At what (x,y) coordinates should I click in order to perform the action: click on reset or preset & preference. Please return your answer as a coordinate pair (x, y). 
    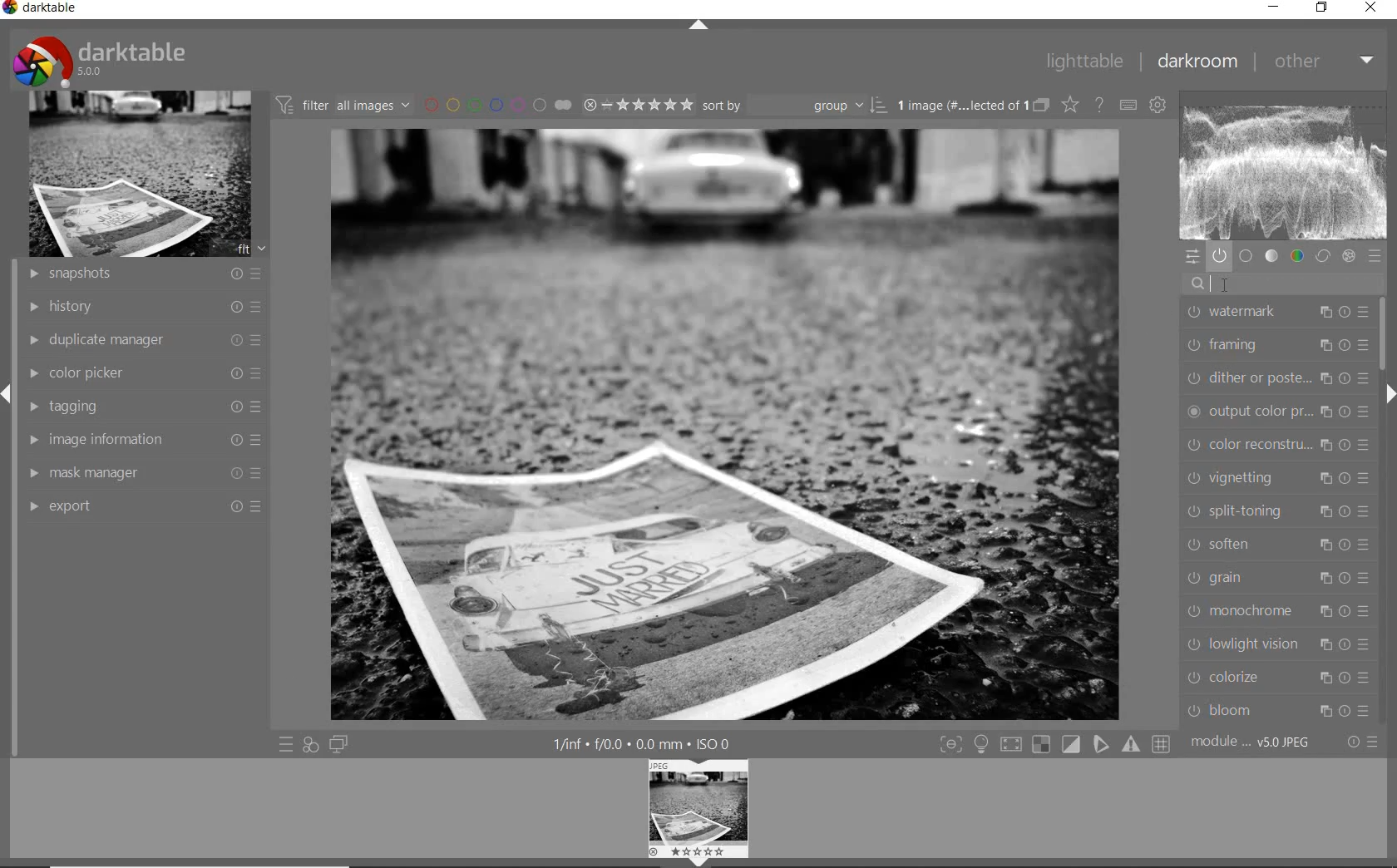
    Looking at the image, I should click on (1358, 744).